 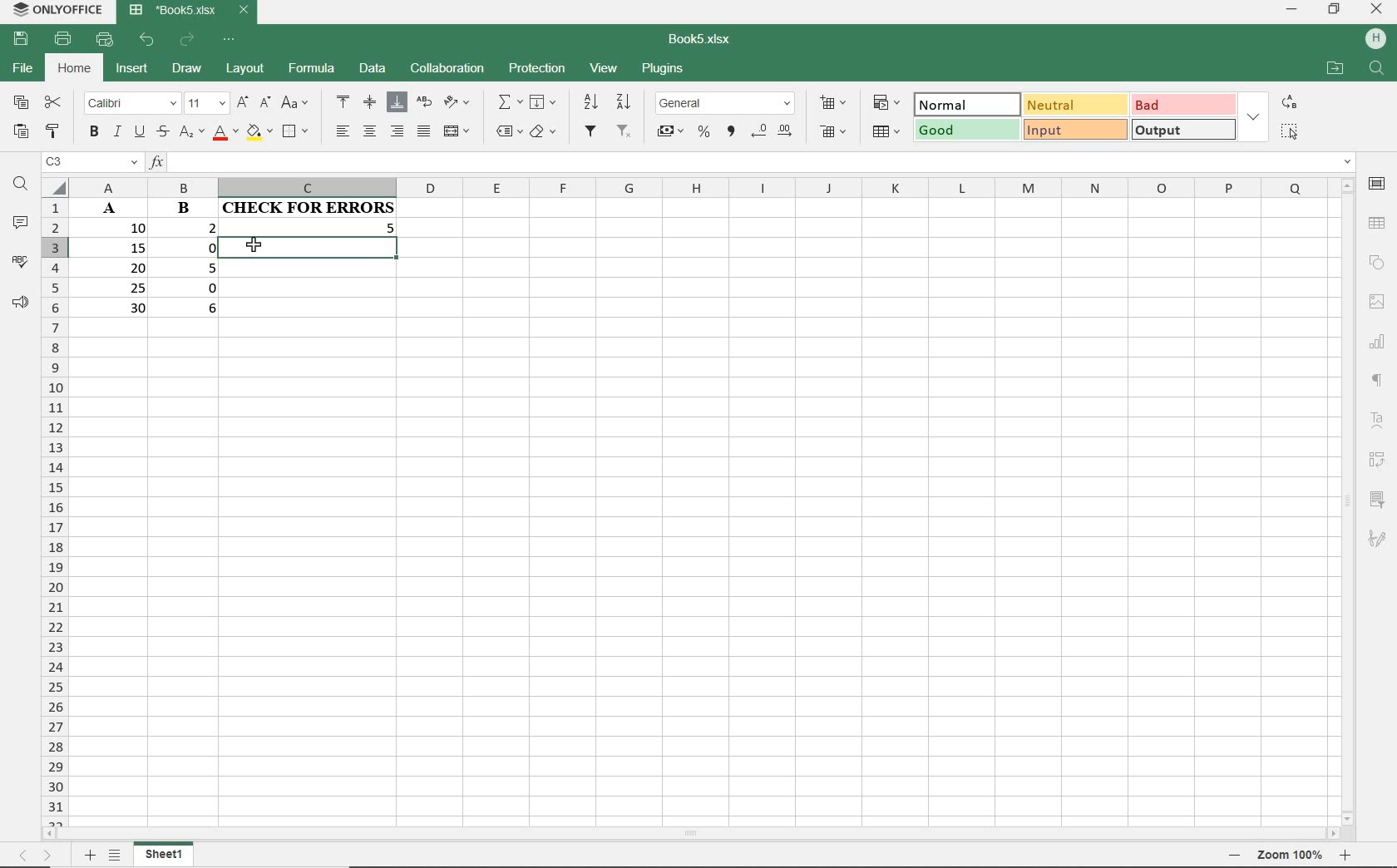 What do you see at coordinates (1378, 538) in the screenshot?
I see `SIGNATURE` at bounding box center [1378, 538].